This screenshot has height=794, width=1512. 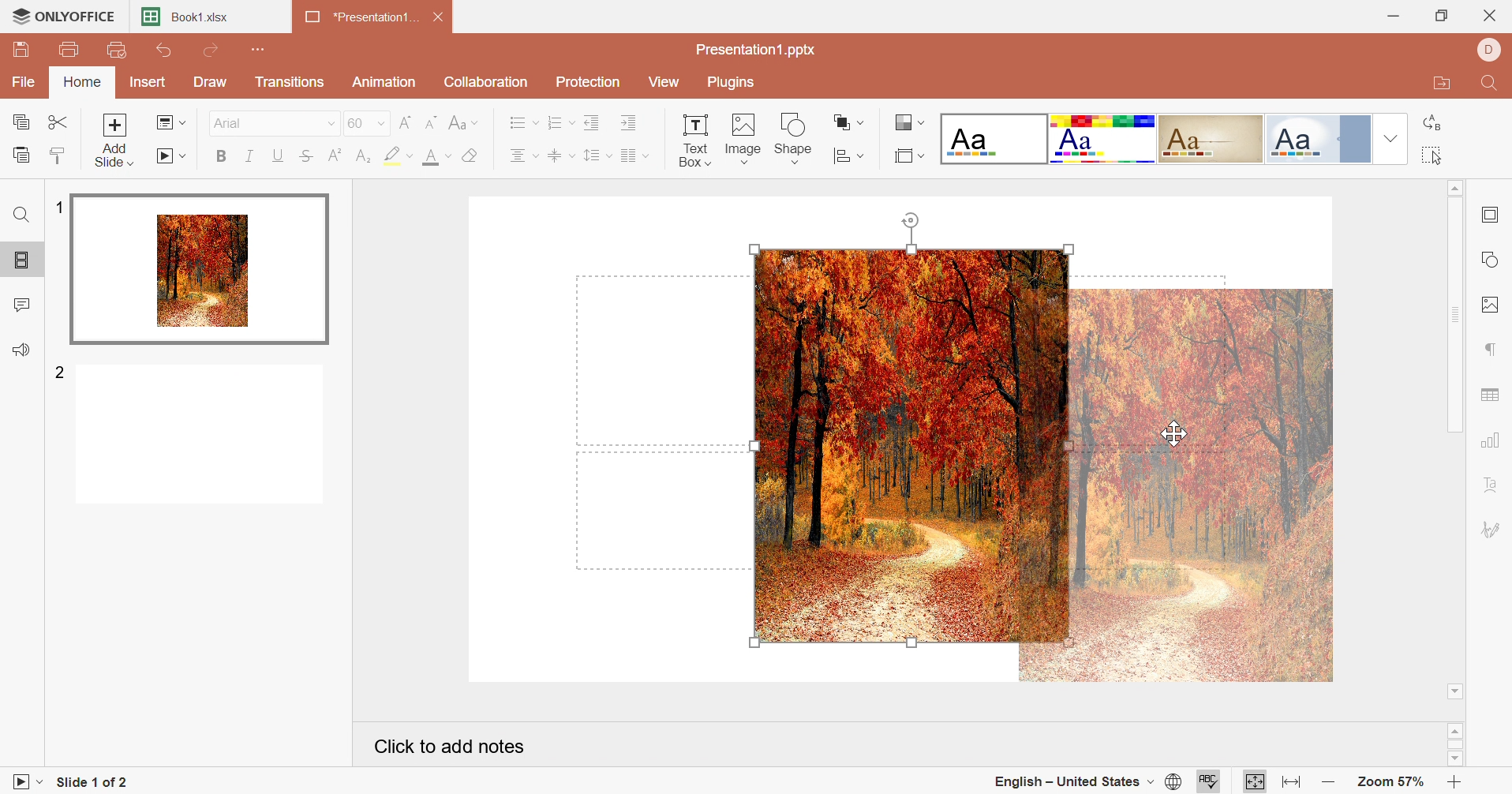 What do you see at coordinates (59, 207) in the screenshot?
I see `1` at bounding box center [59, 207].